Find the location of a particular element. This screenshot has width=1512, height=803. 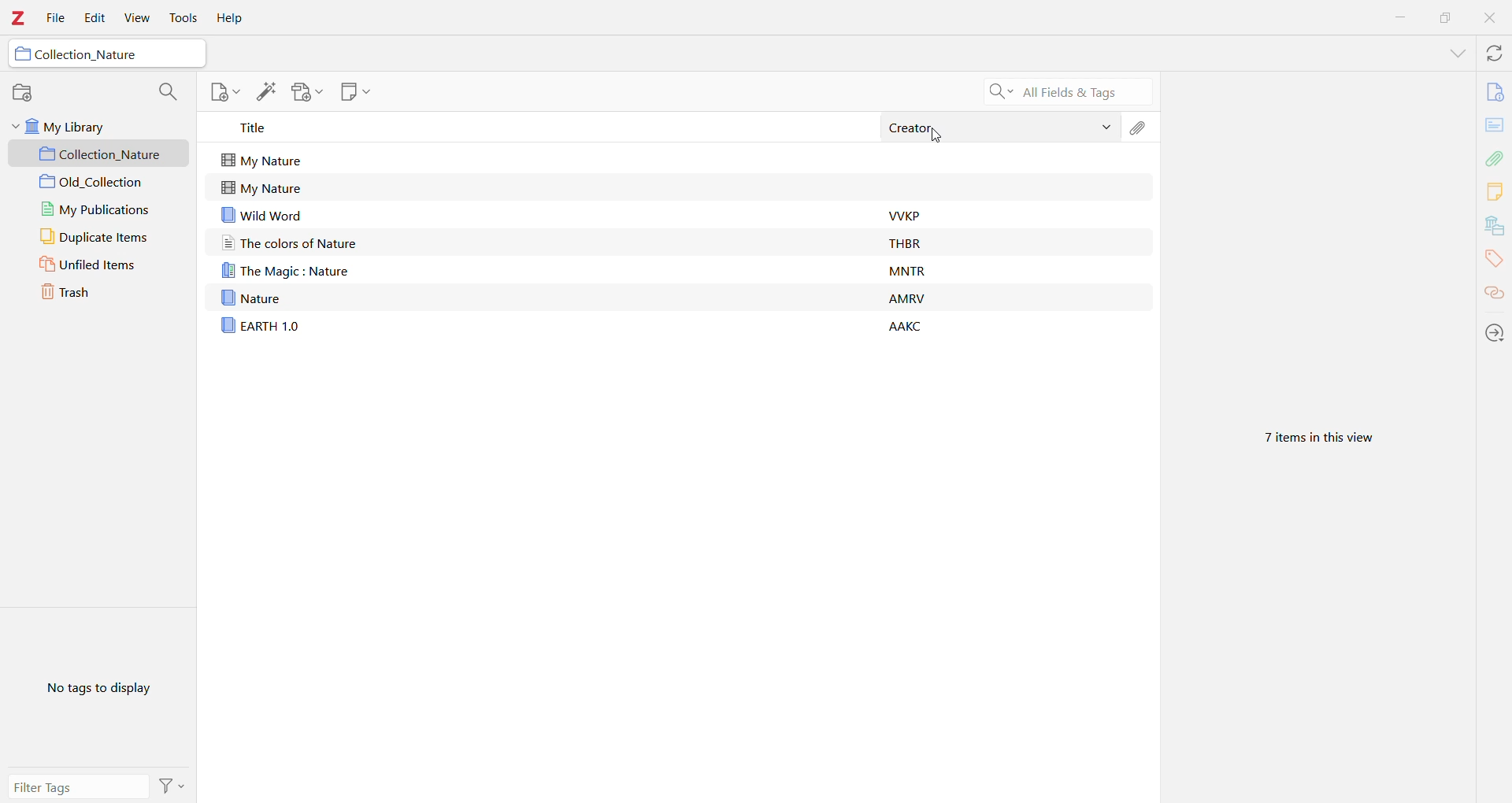

Creator information is located at coordinates (915, 241).